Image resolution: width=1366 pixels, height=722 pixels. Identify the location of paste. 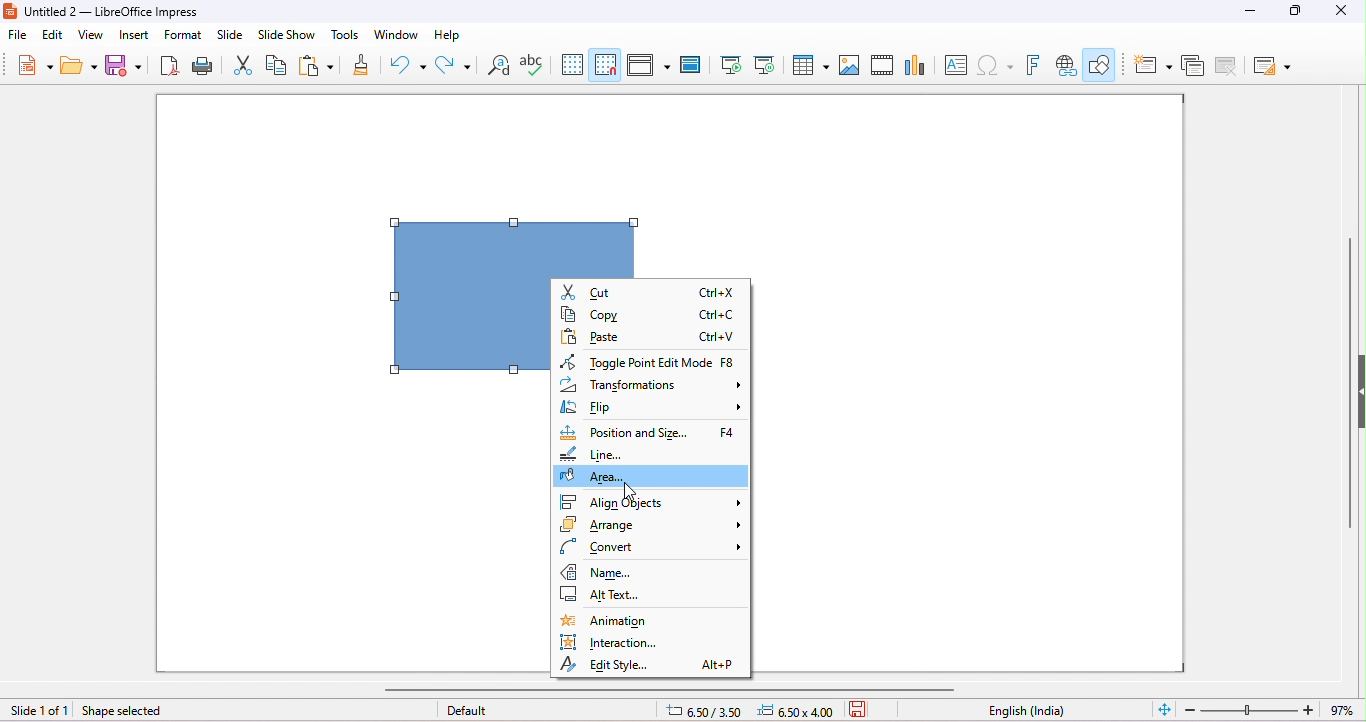
(315, 63).